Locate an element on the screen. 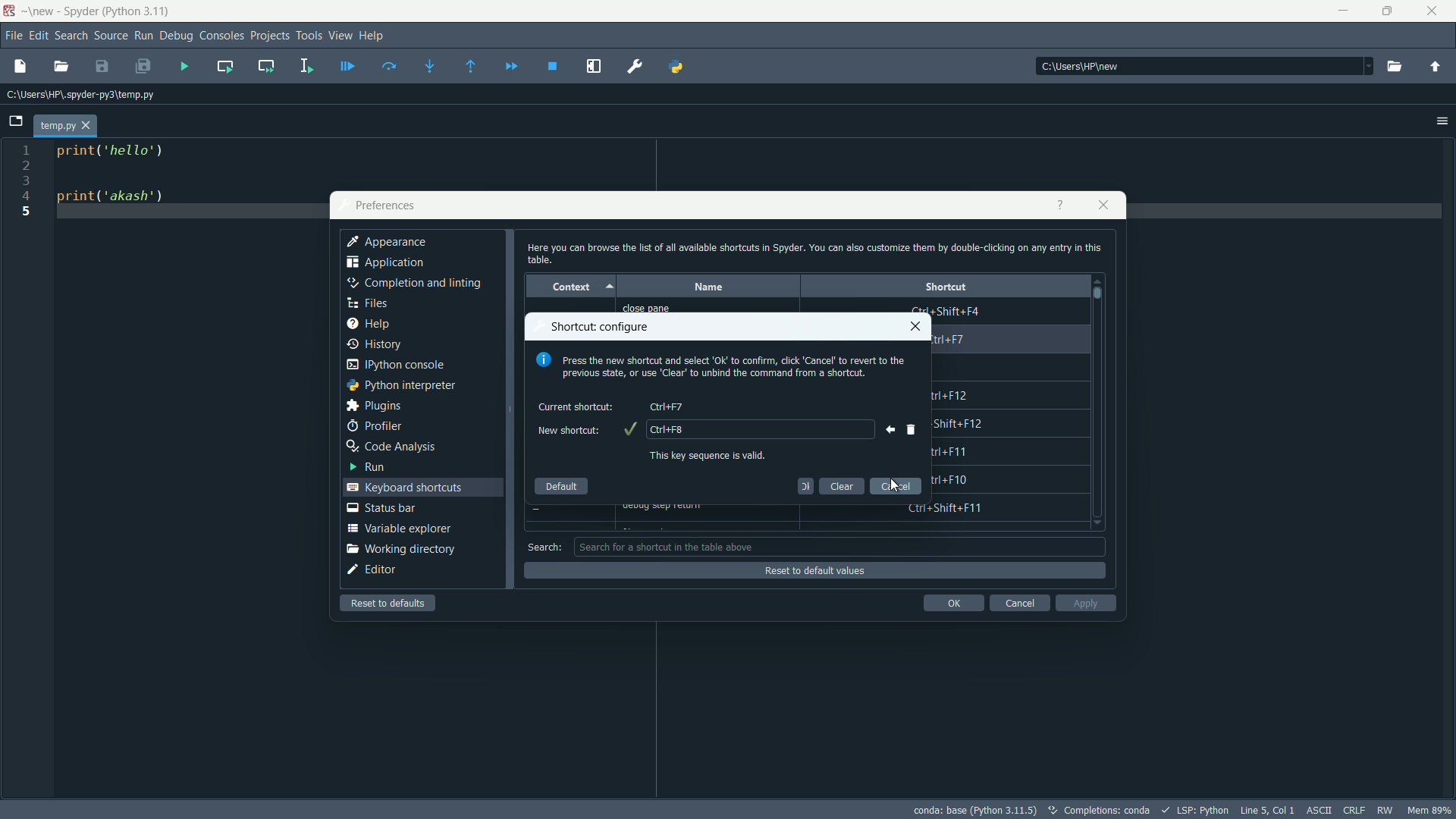 The image size is (1456, 819). text is located at coordinates (1107, 811).